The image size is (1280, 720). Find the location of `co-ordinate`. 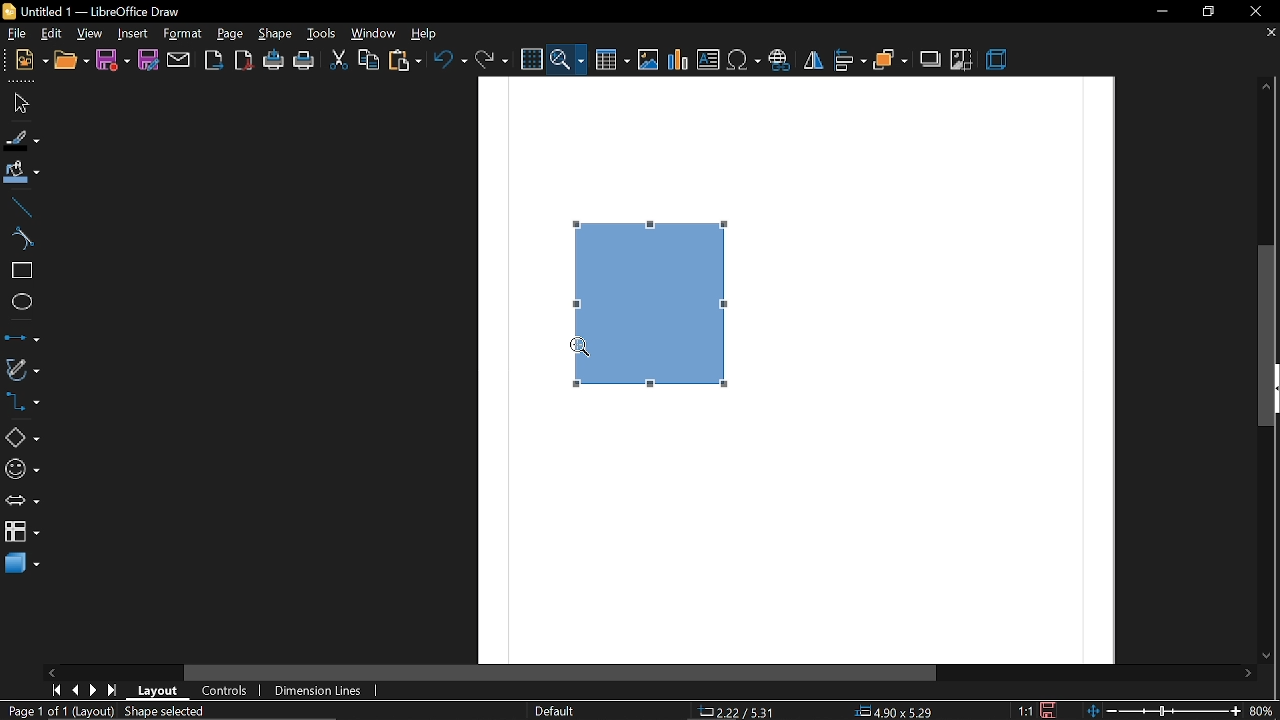

co-ordinate is located at coordinates (737, 712).